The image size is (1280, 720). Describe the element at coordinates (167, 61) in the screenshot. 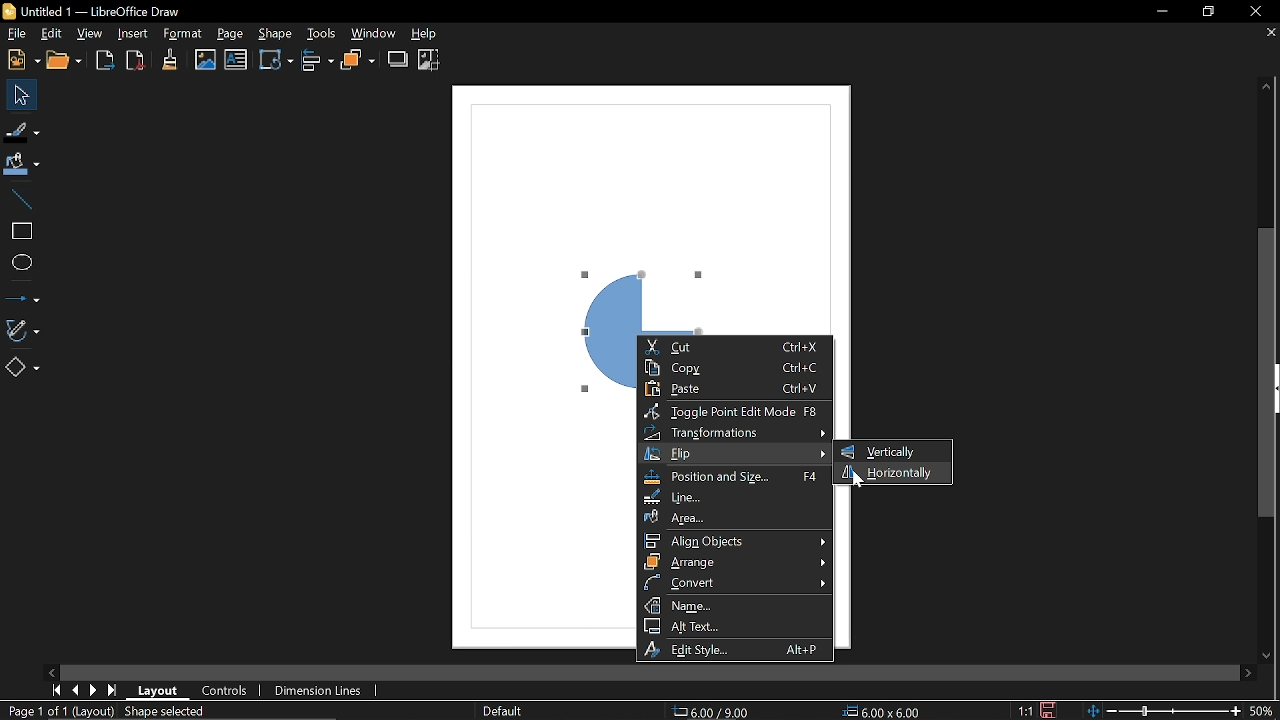

I see `Clone` at that location.